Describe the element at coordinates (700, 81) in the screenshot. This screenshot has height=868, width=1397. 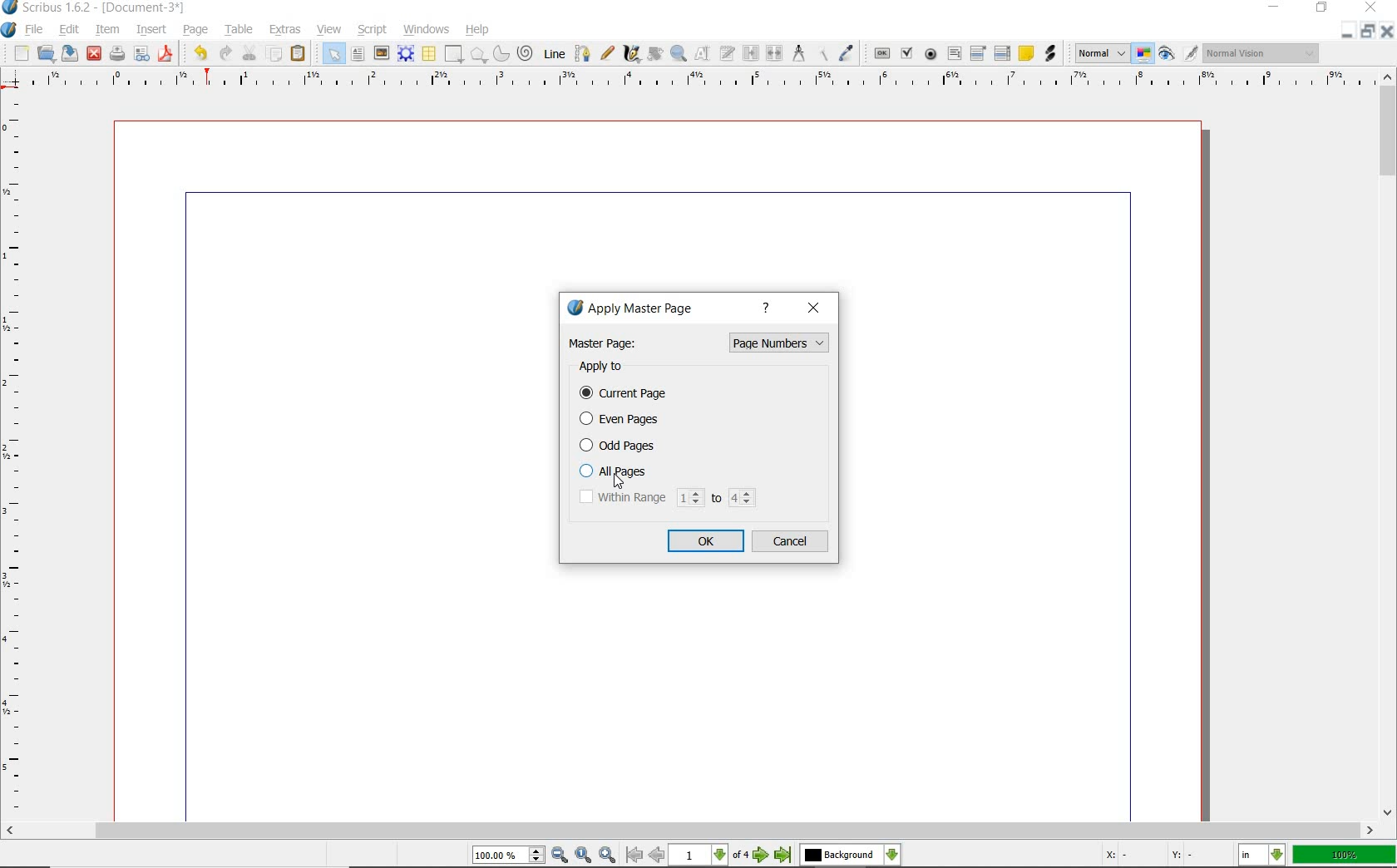
I see `Horizontal Margin` at that location.